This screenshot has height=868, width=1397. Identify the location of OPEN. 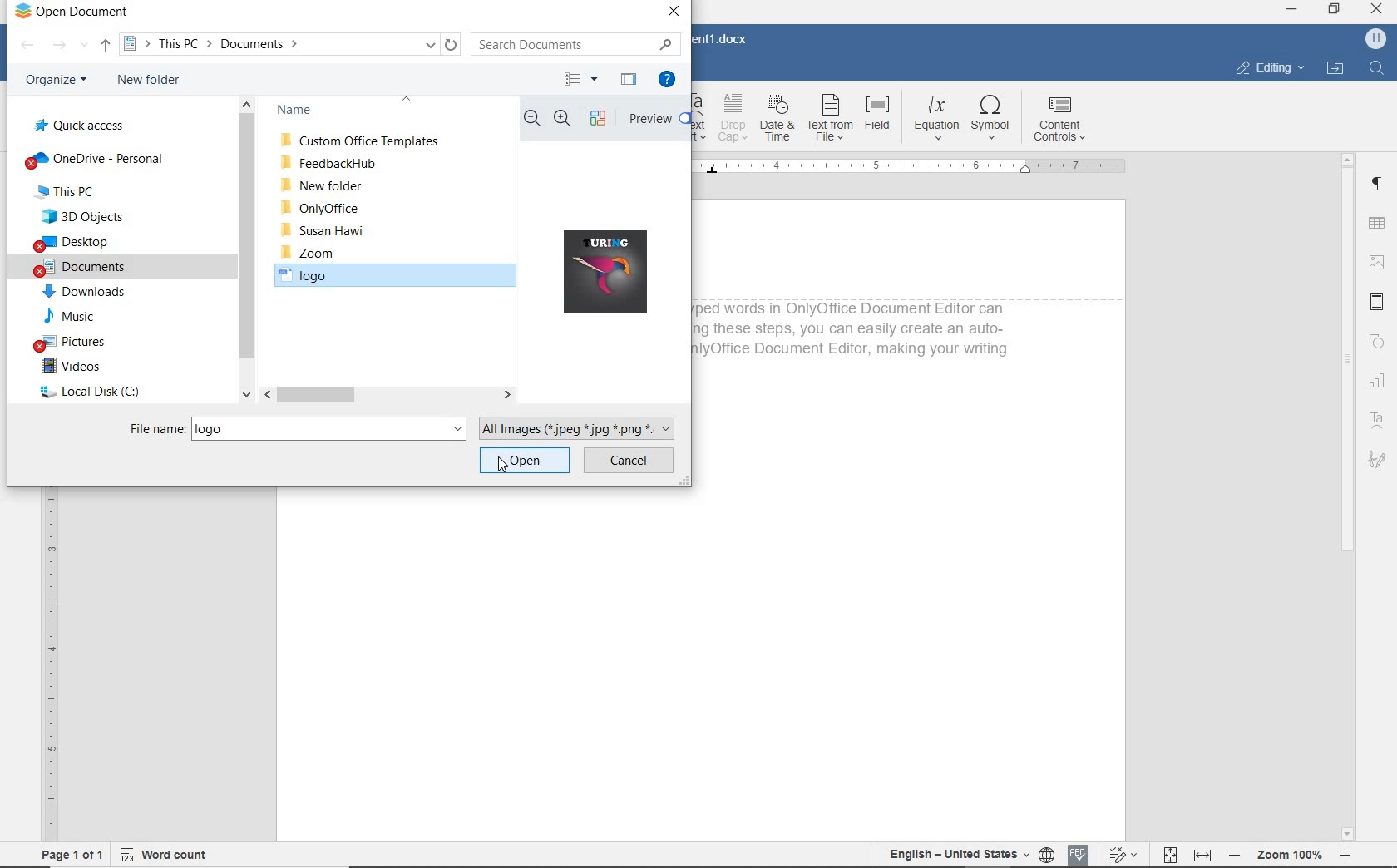
(526, 459).